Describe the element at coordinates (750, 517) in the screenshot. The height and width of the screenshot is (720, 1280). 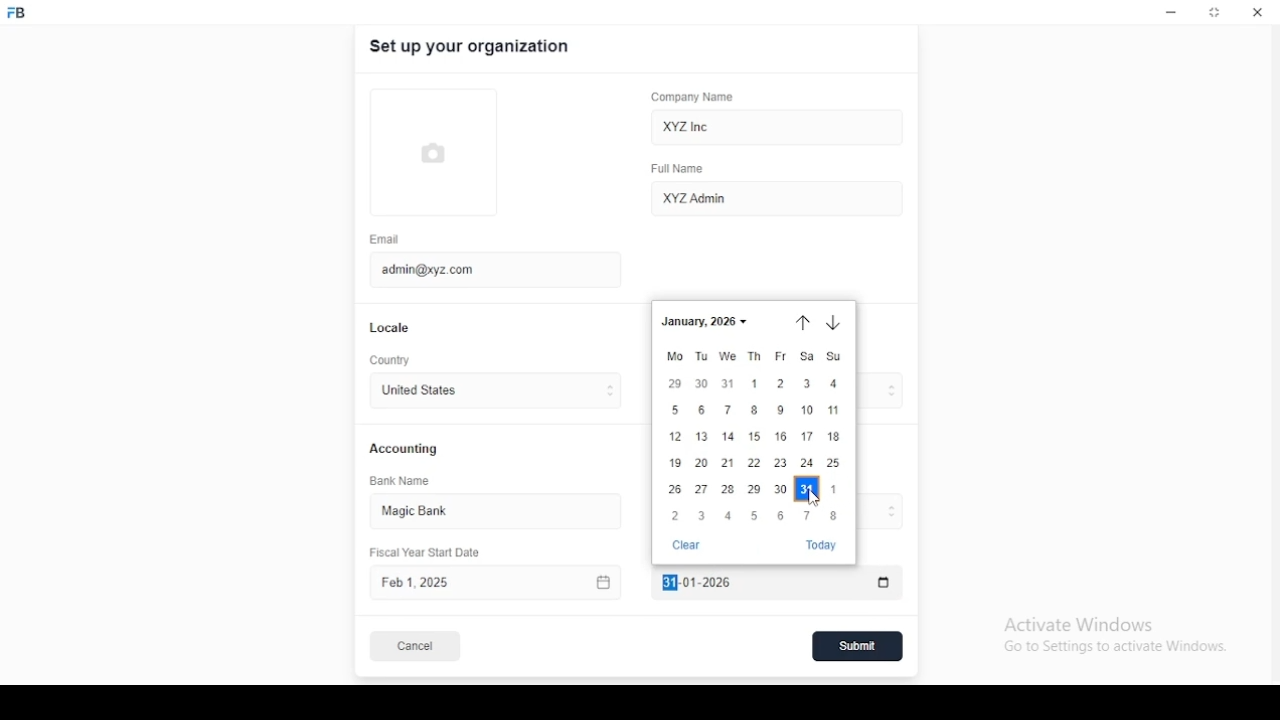
I see `5` at that location.